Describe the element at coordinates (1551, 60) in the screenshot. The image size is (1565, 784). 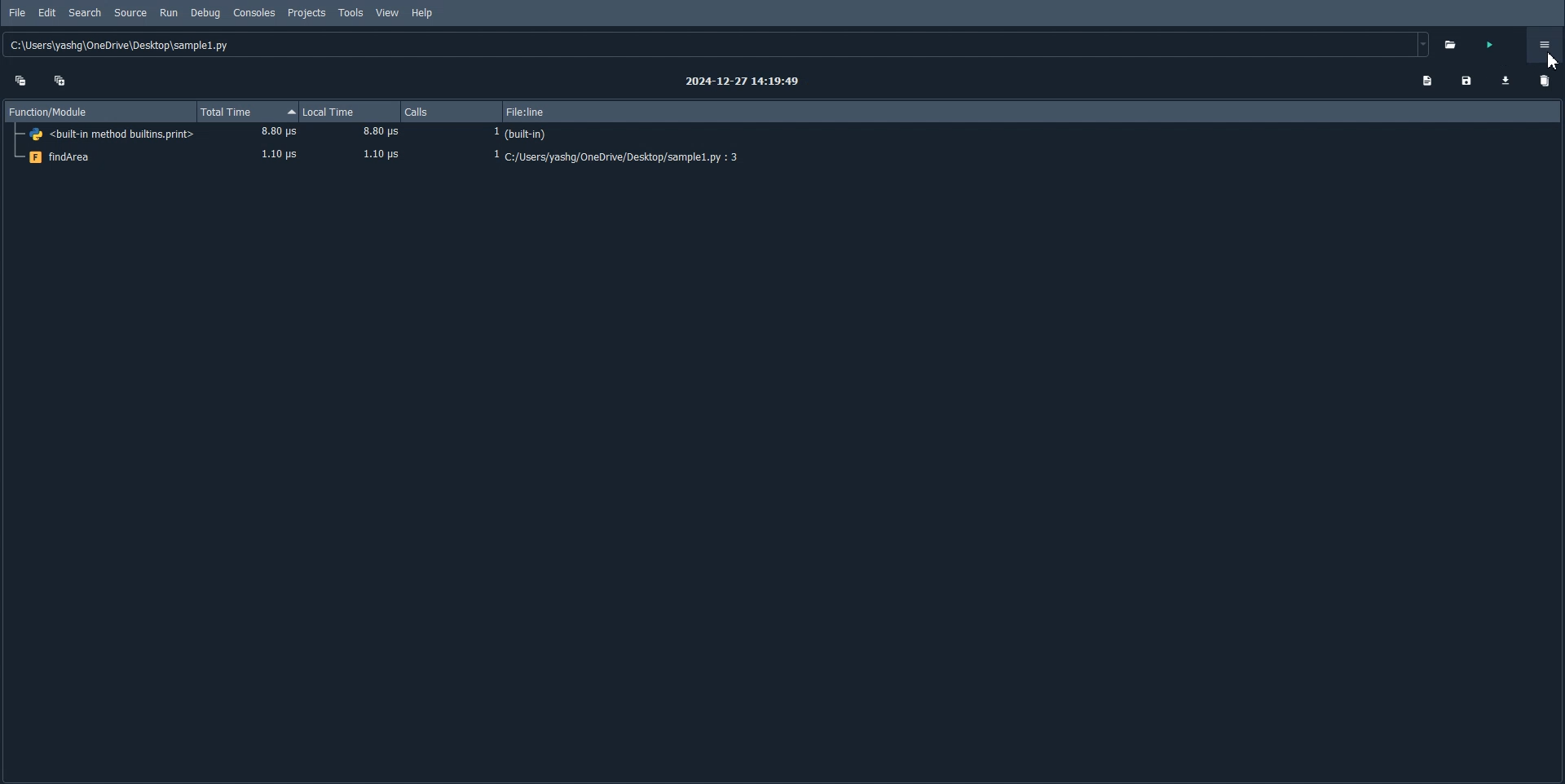
I see `Cursor` at that location.